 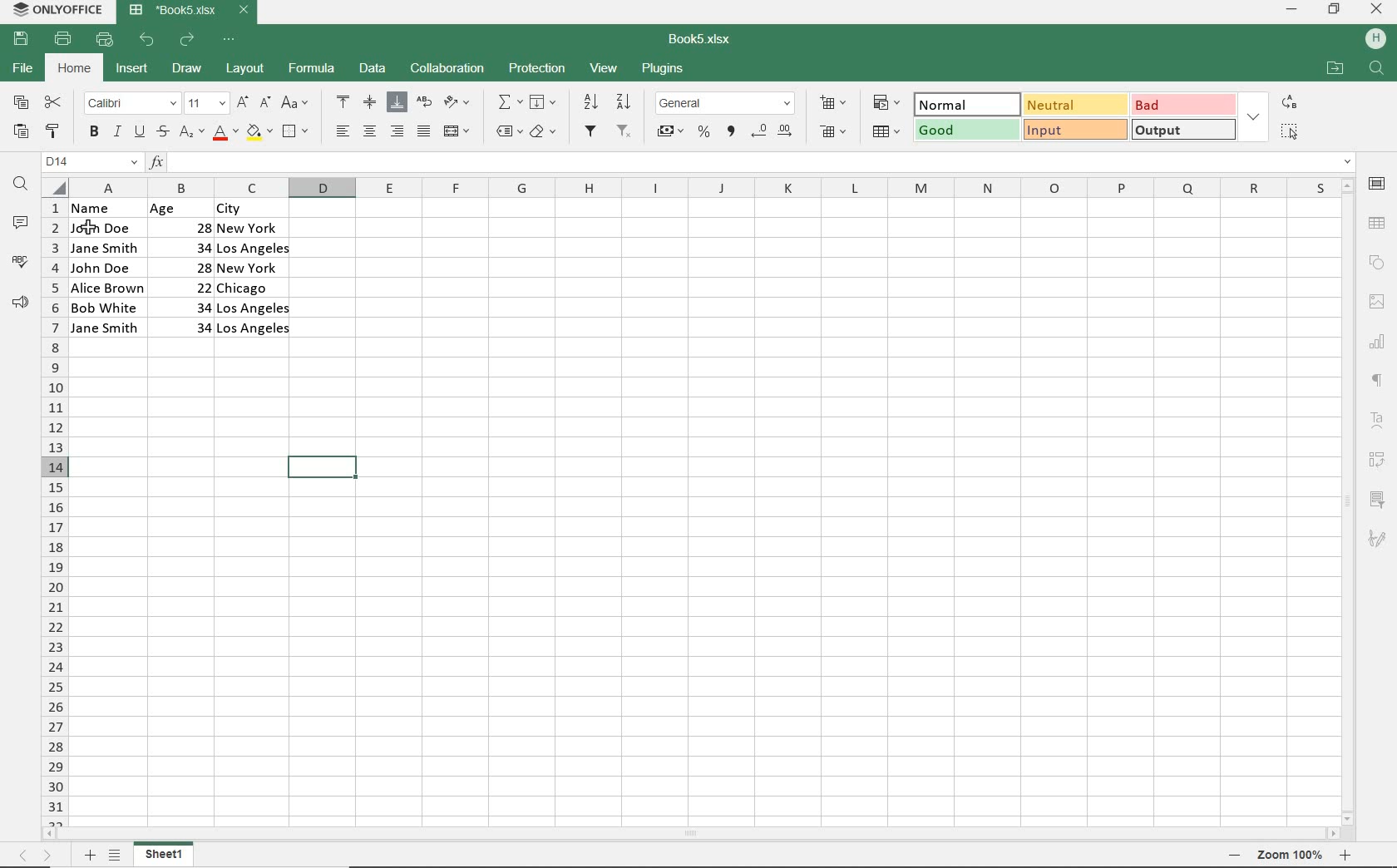 I want to click on FILTER, so click(x=592, y=131).